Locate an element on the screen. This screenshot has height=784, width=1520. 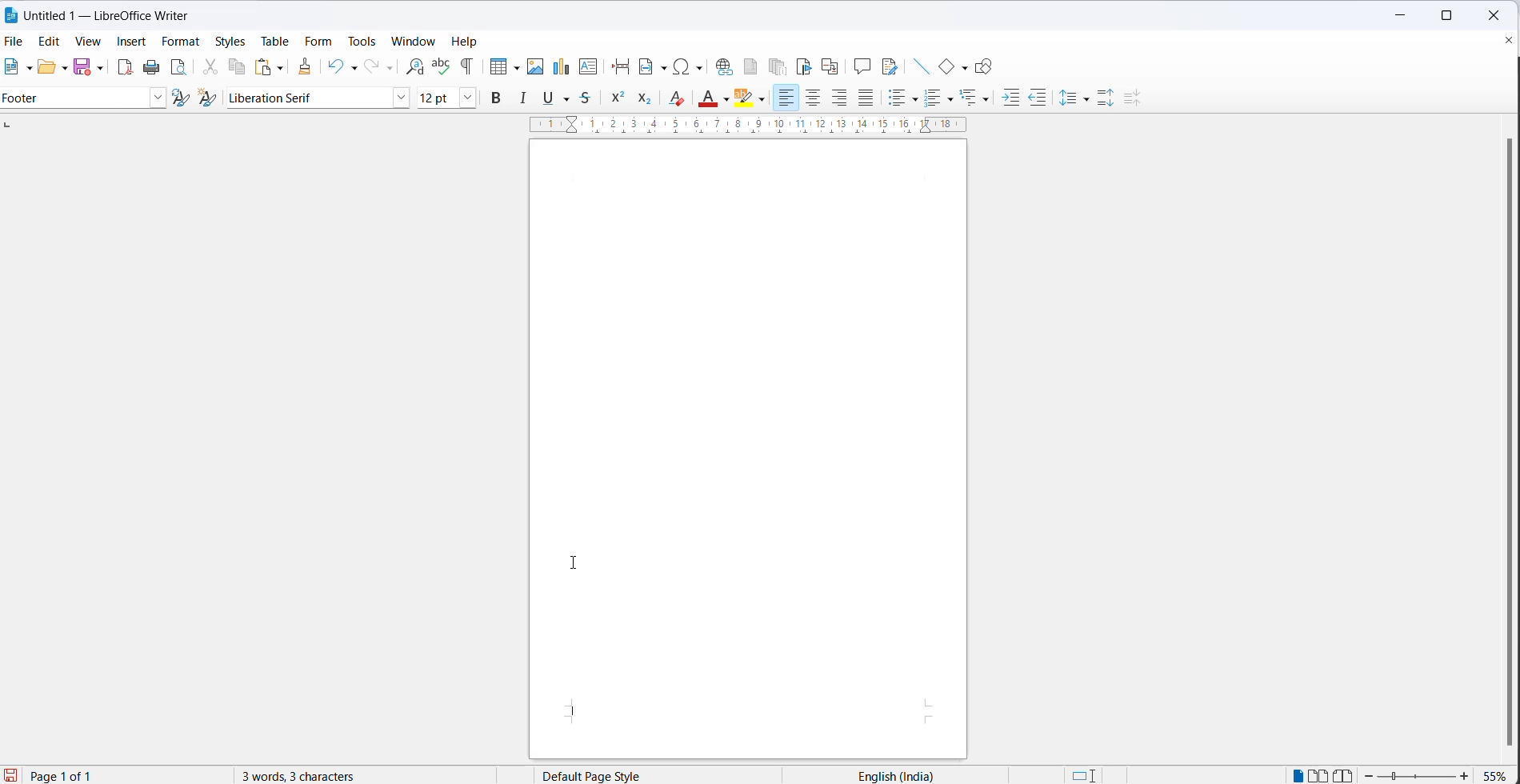
help  is located at coordinates (469, 42).